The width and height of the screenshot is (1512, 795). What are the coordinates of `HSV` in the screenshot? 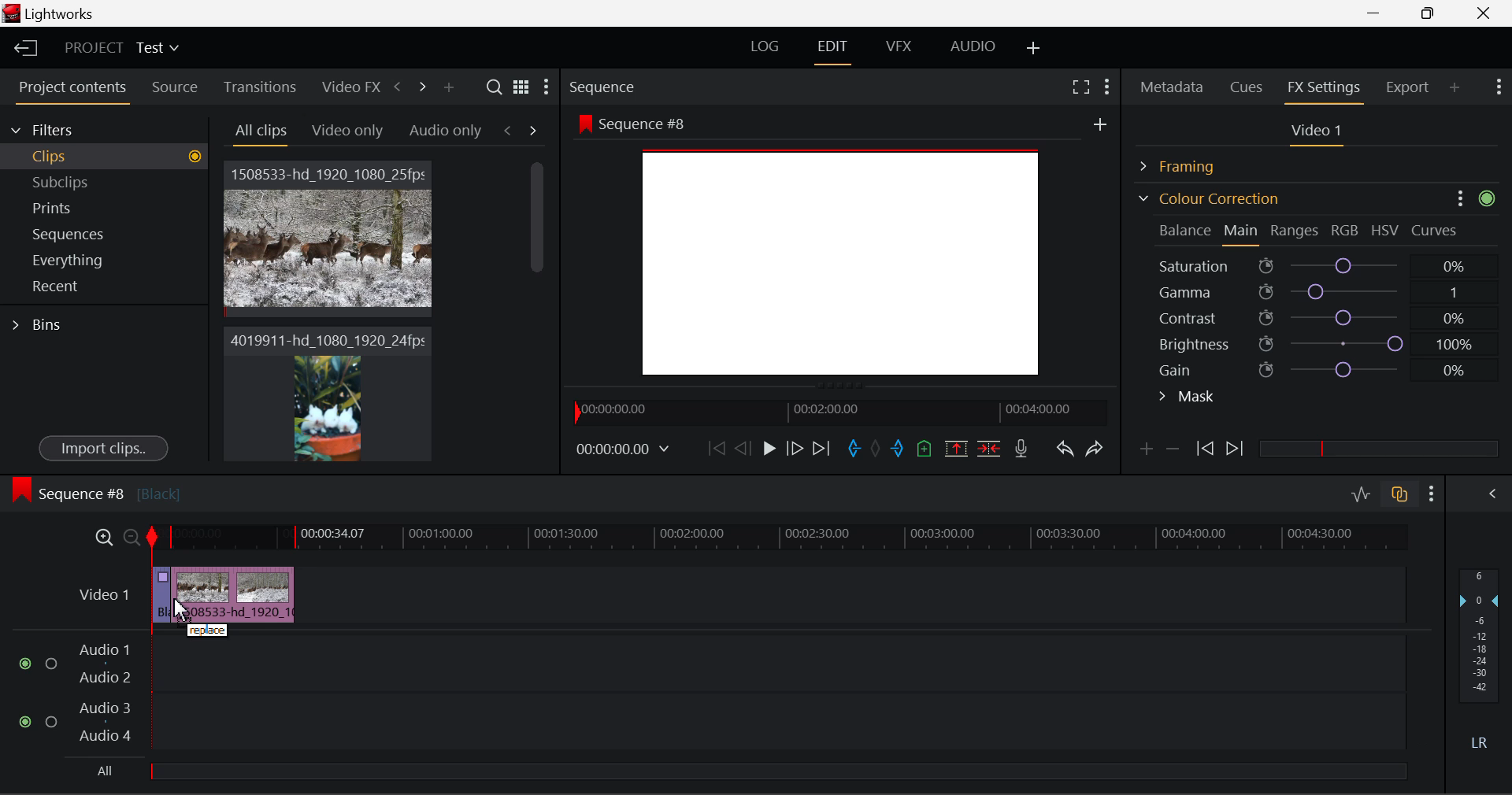 It's located at (1385, 230).